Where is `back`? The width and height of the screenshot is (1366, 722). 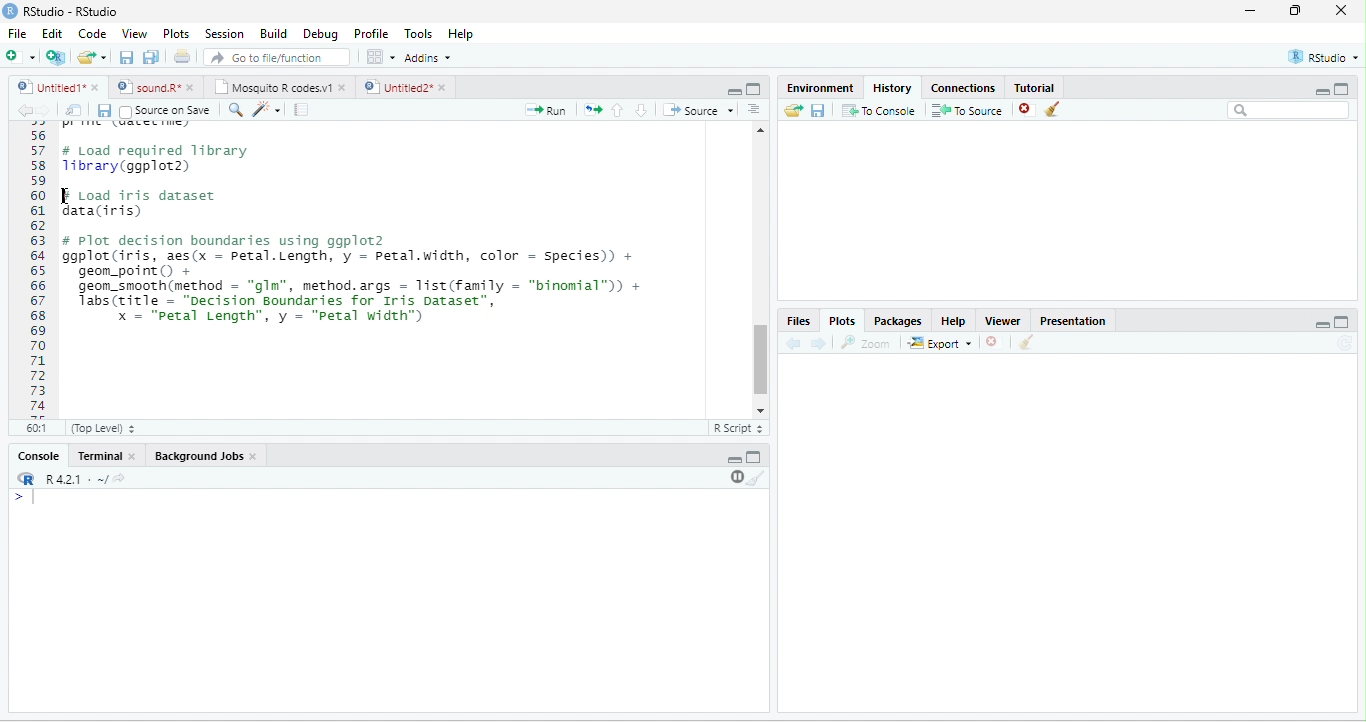 back is located at coordinates (25, 111).